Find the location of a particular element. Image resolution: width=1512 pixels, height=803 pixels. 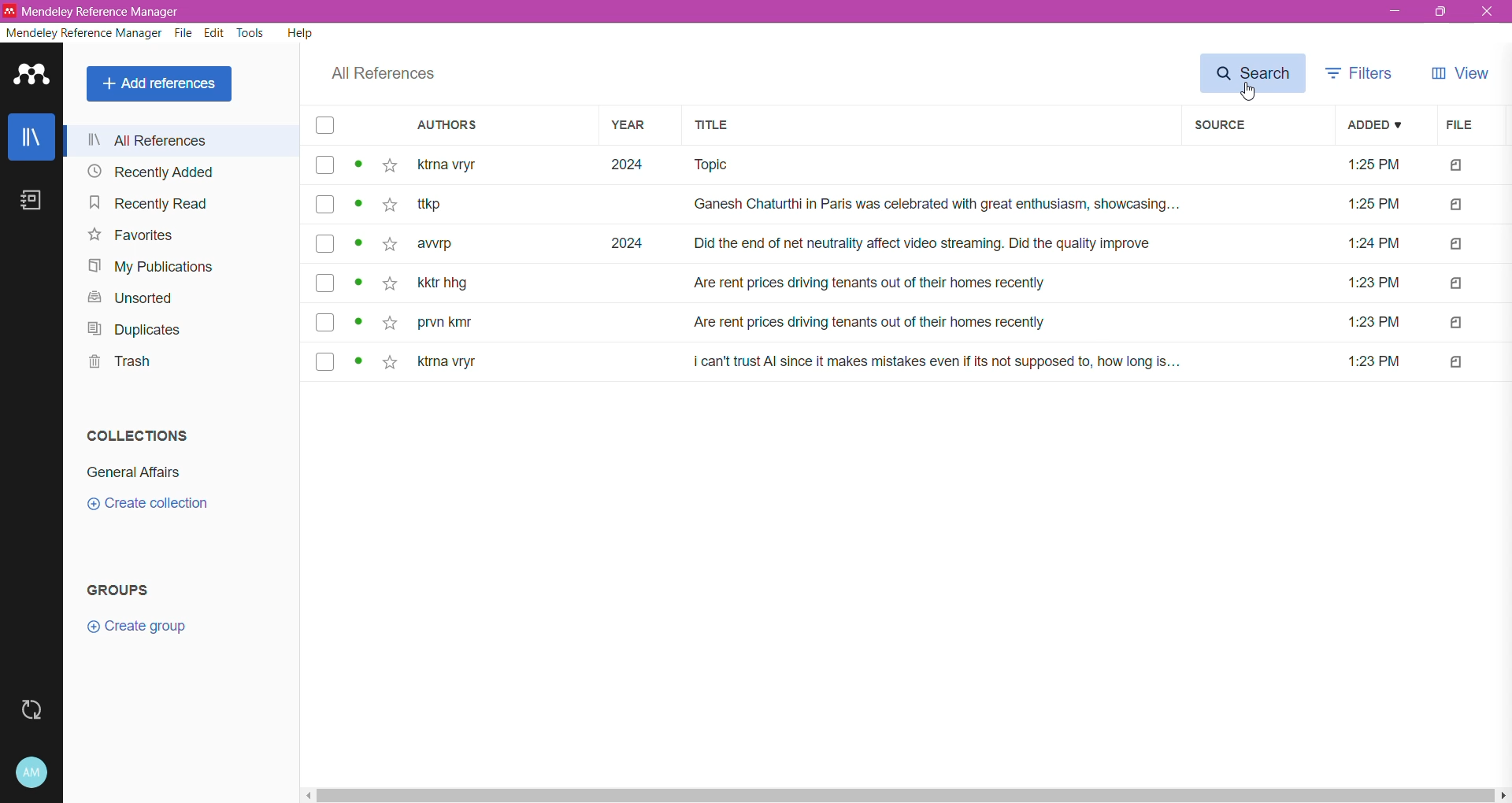

7 kta vryr 2024 Topic 1:25PM is located at coordinates (917, 168).